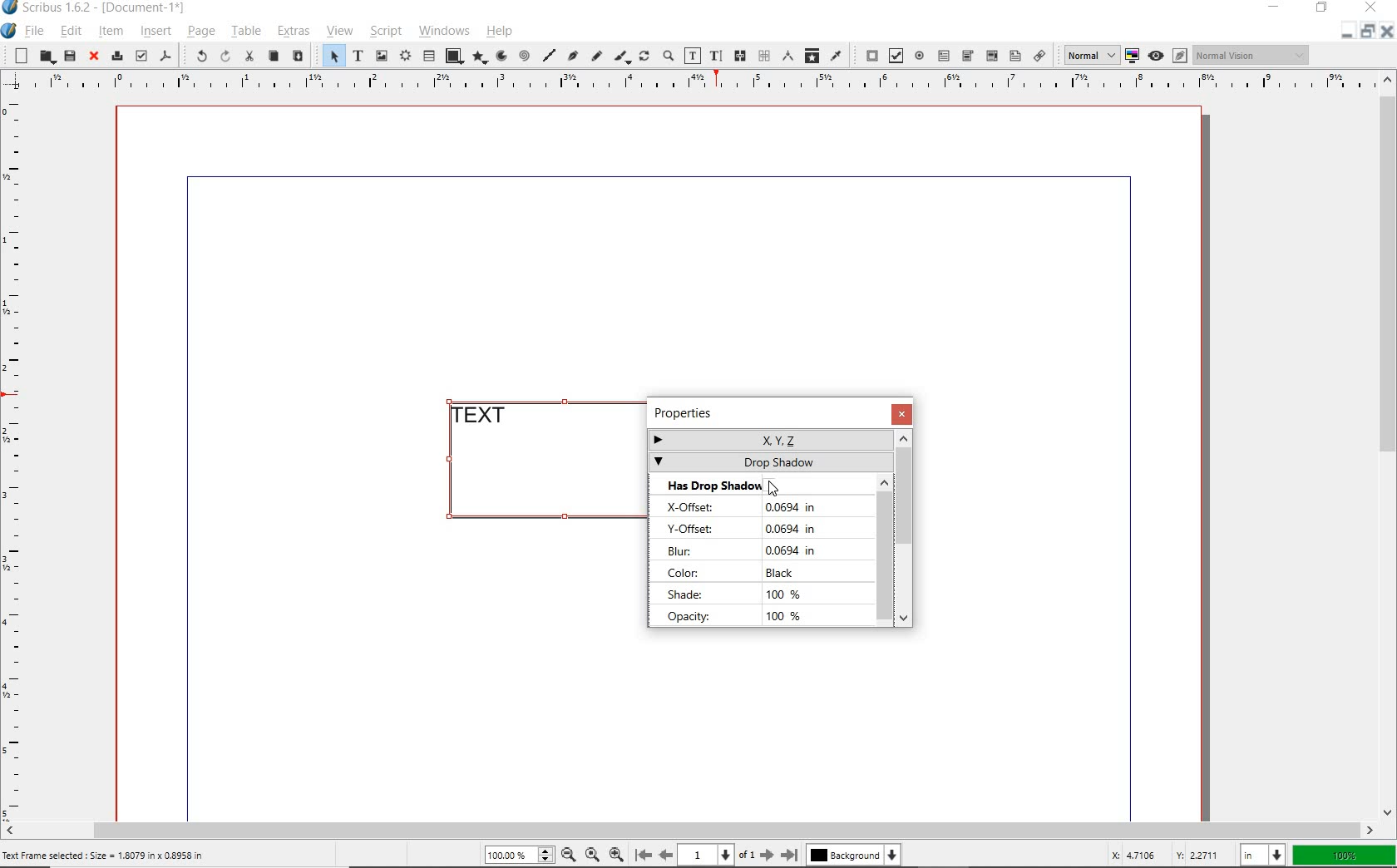 The width and height of the screenshot is (1397, 868). What do you see at coordinates (644, 57) in the screenshot?
I see `rotate item` at bounding box center [644, 57].